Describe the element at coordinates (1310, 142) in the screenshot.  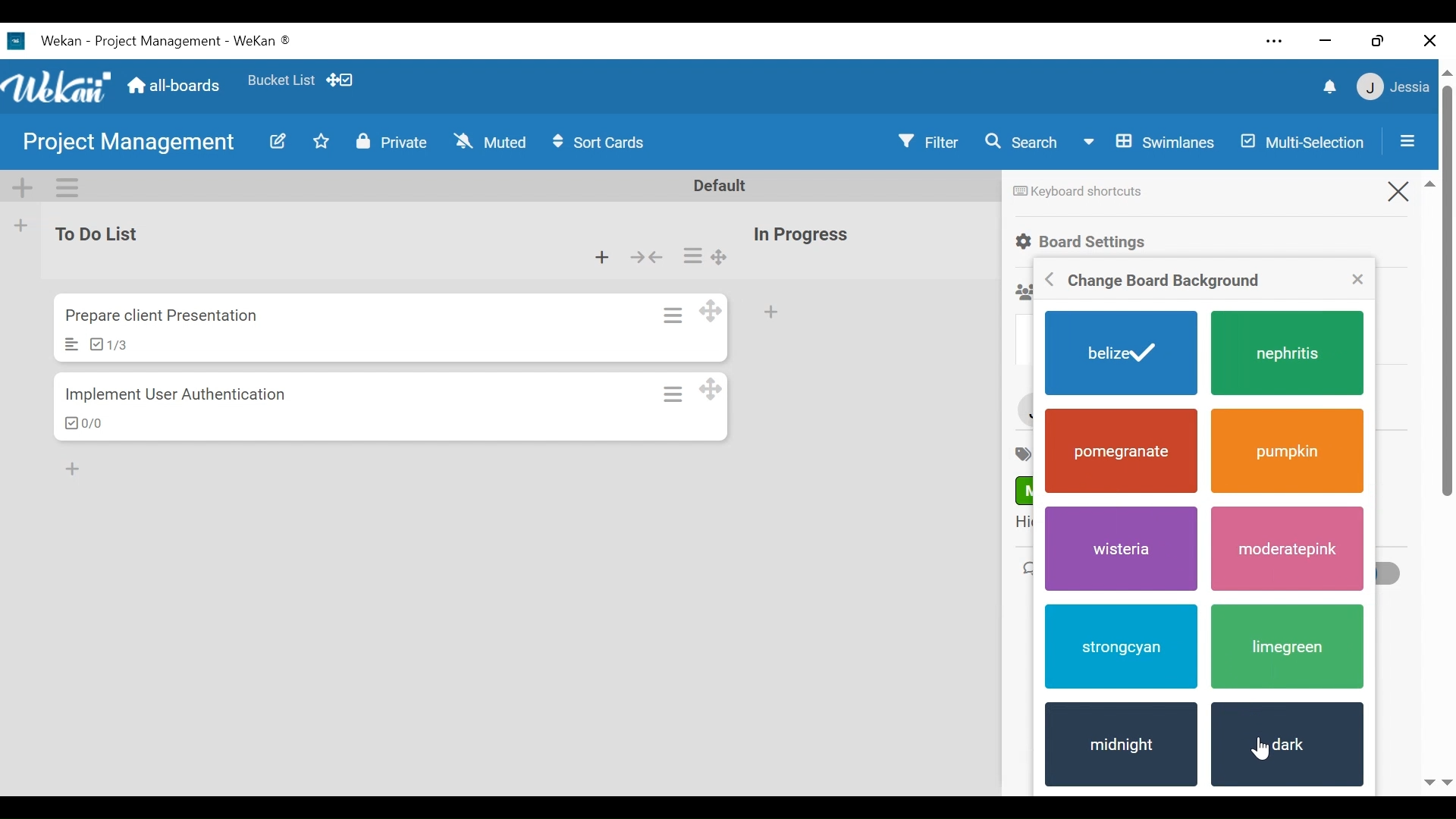
I see `Multi-selection` at that location.